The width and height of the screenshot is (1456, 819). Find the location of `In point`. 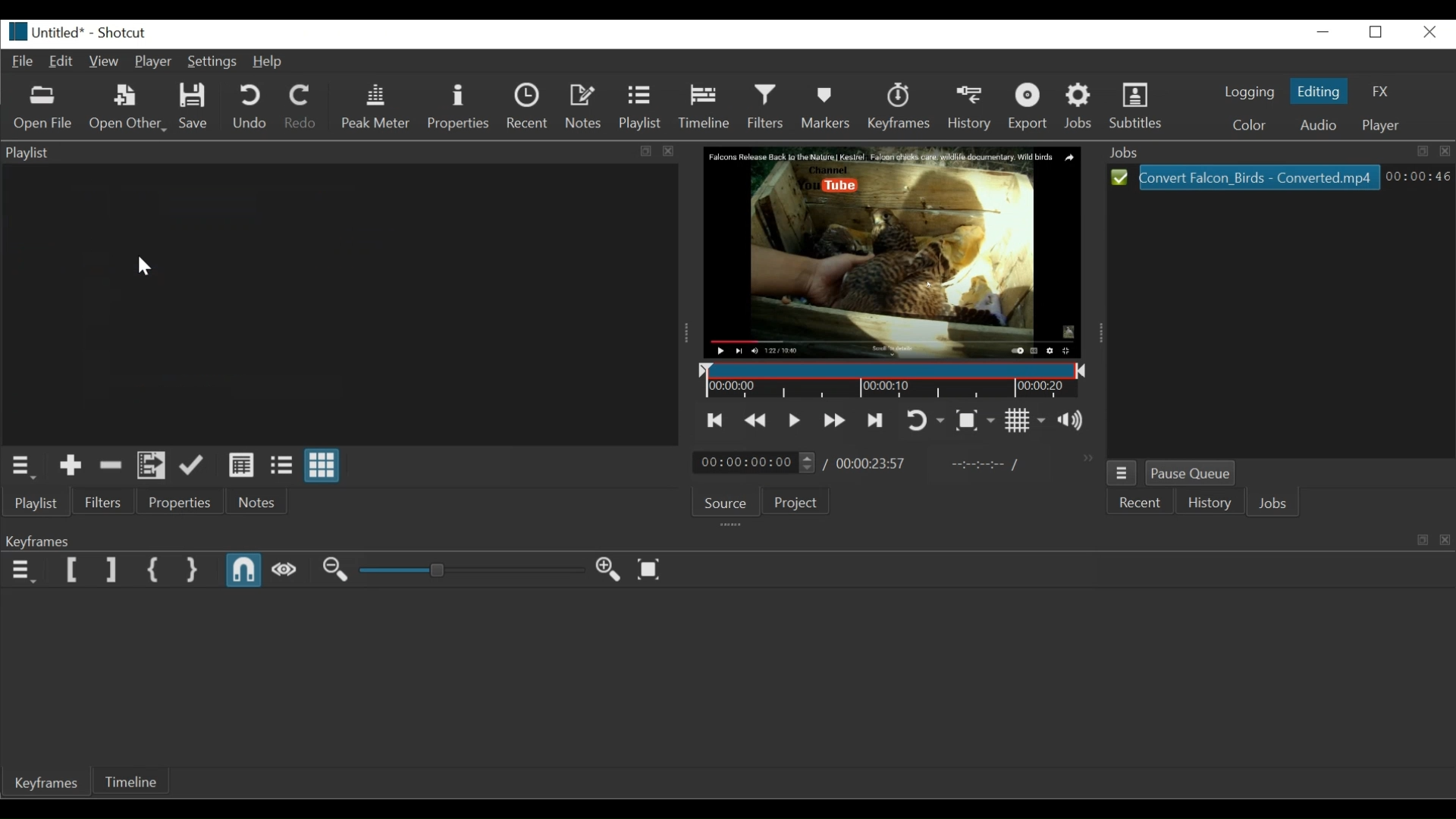

In point is located at coordinates (982, 466).